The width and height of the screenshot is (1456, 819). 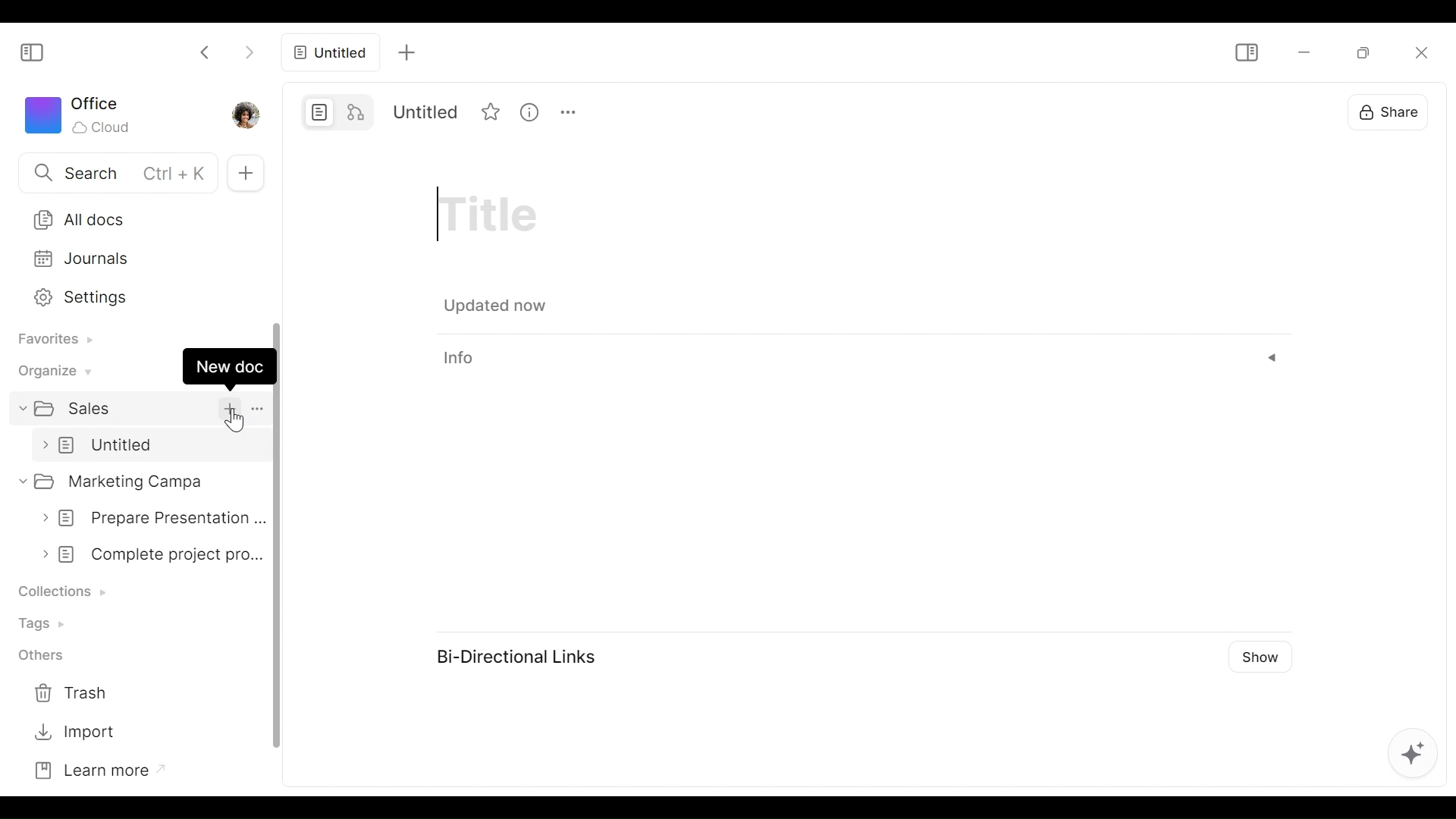 What do you see at coordinates (1394, 112) in the screenshot?
I see `Share` at bounding box center [1394, 112].